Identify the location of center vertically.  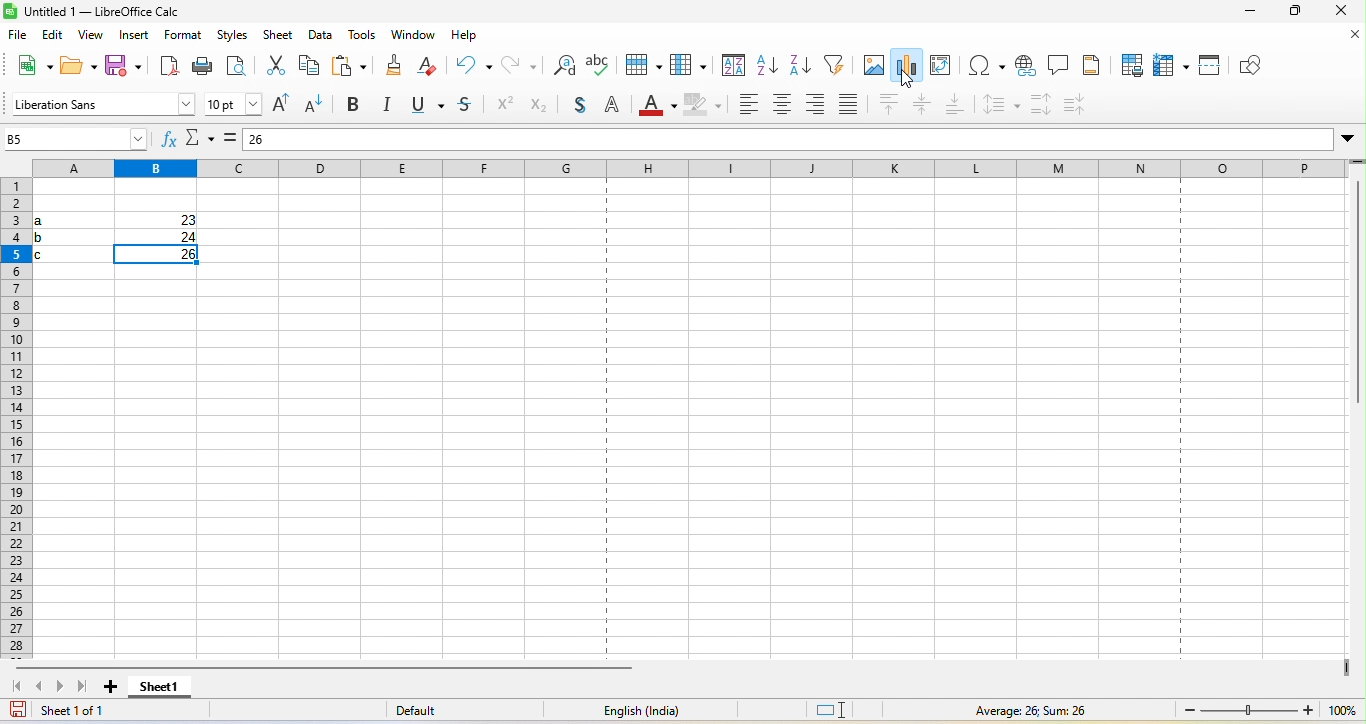
(924, 105).